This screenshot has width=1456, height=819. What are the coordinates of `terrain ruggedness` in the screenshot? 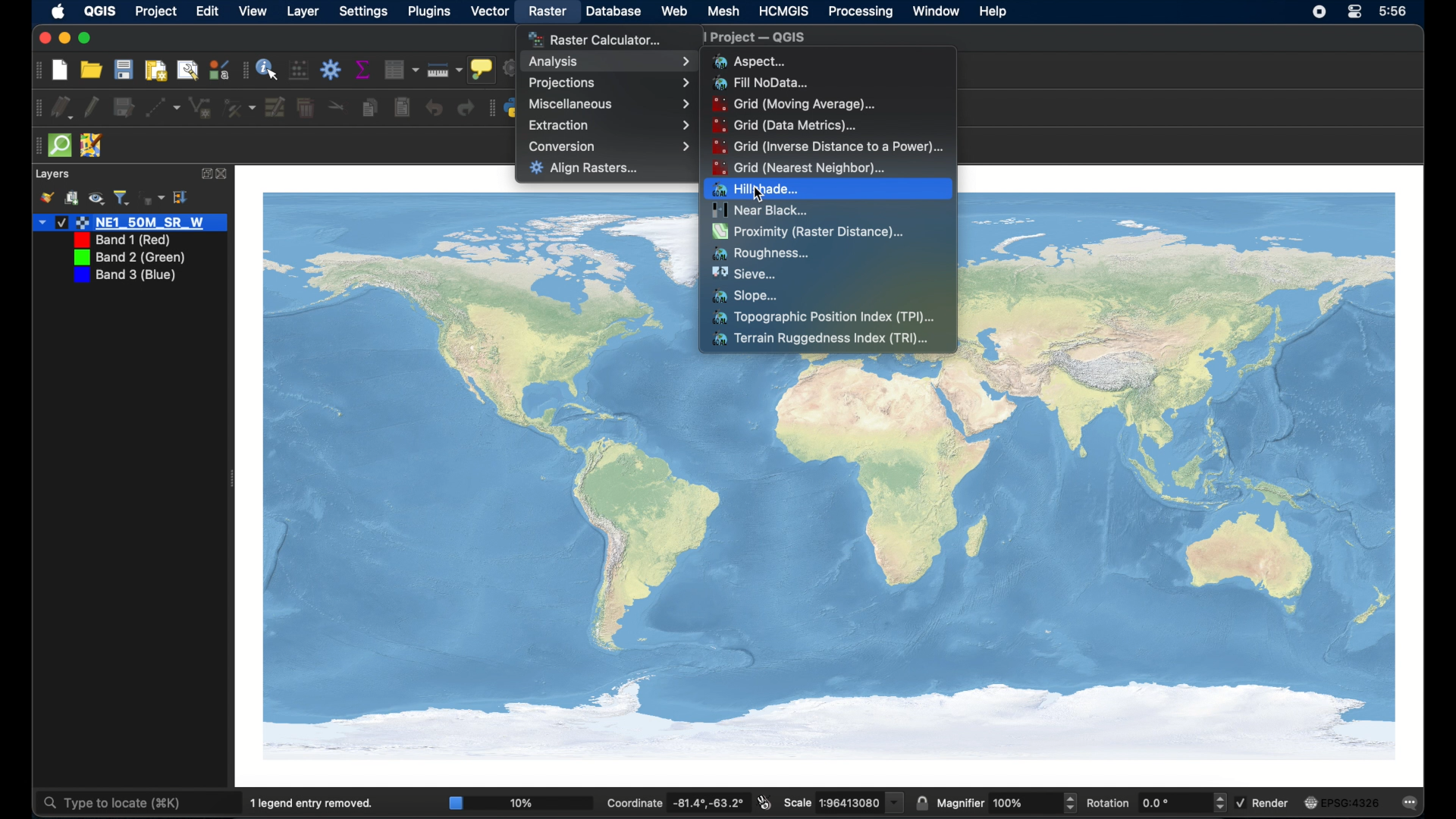 It's located at (821, 340).